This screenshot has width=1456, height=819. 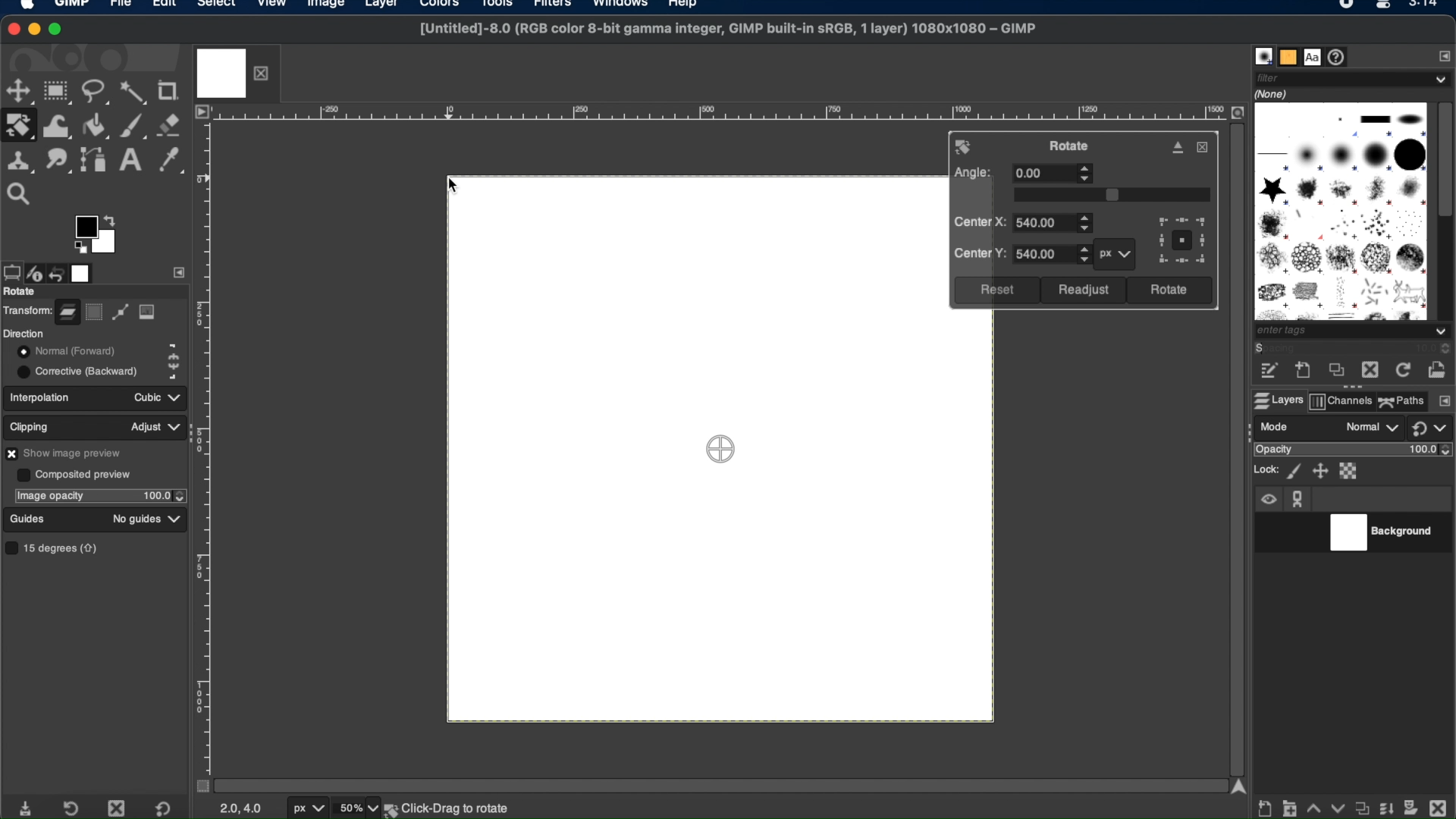 I want to click on Mac control center, so click(x=1380, y=7).